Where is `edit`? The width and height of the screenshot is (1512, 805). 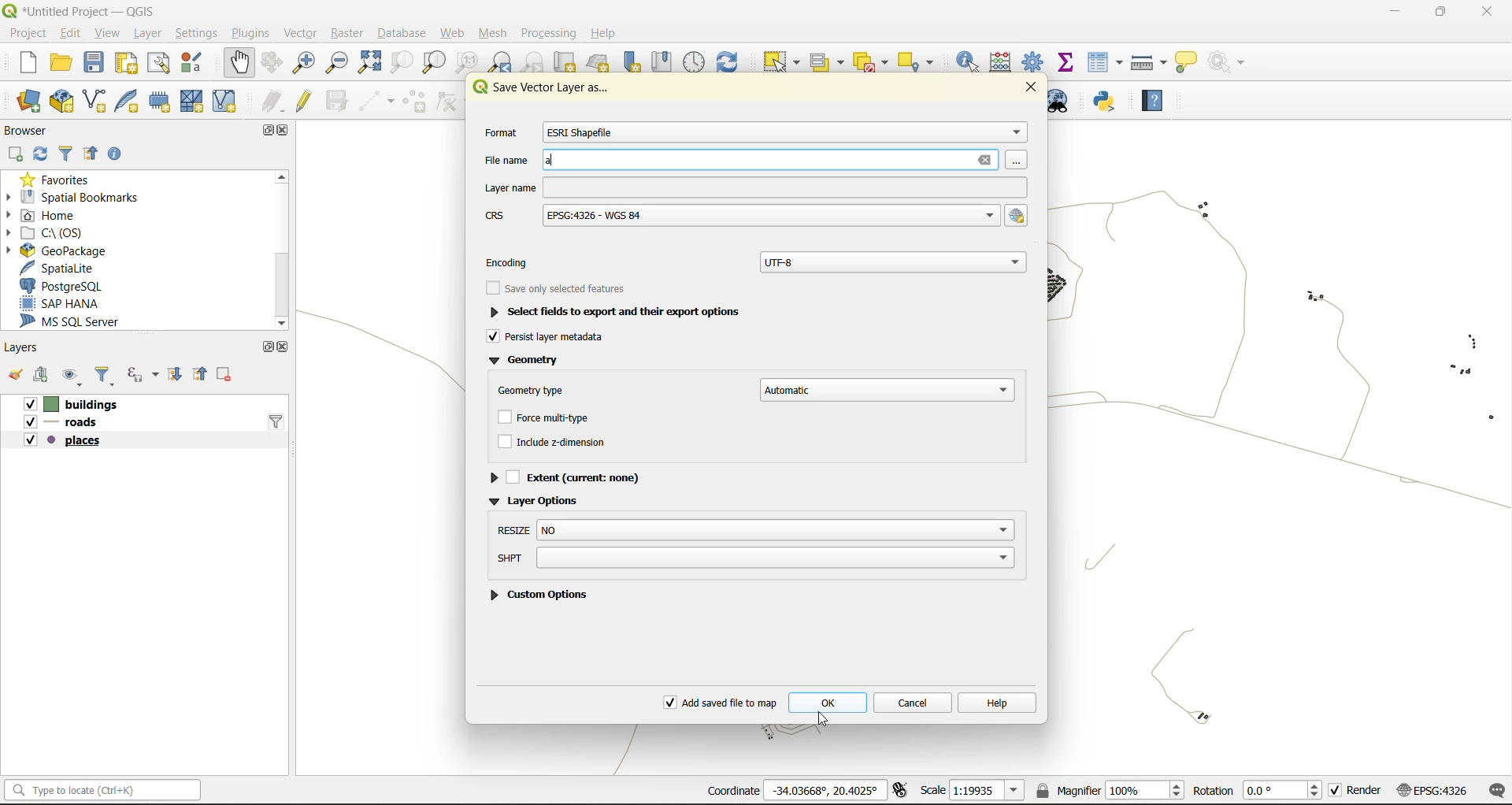
edit is located at coordinates (69, 33).